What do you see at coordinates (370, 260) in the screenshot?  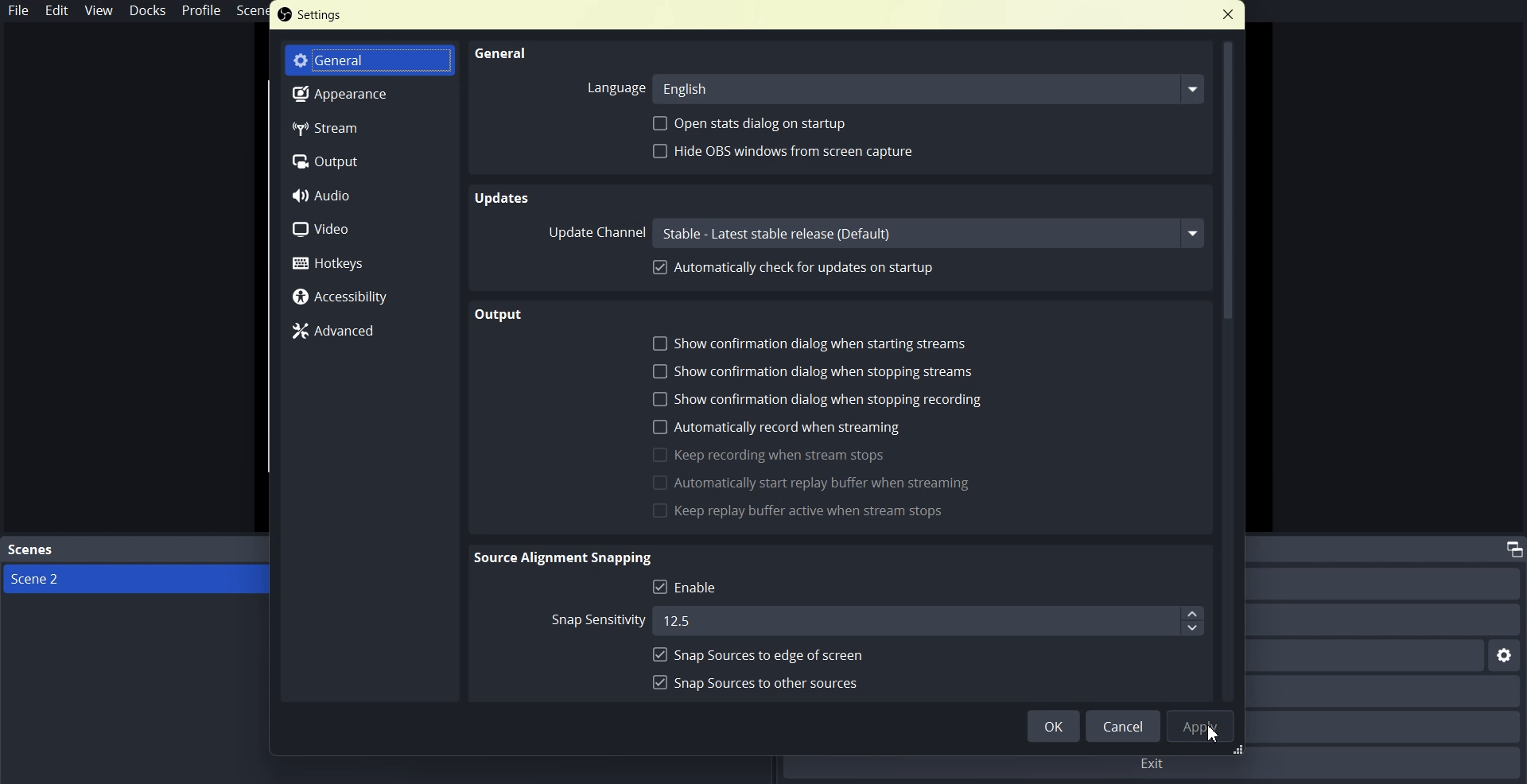 I see `Hotkeys` at bounding box center [370, 260].